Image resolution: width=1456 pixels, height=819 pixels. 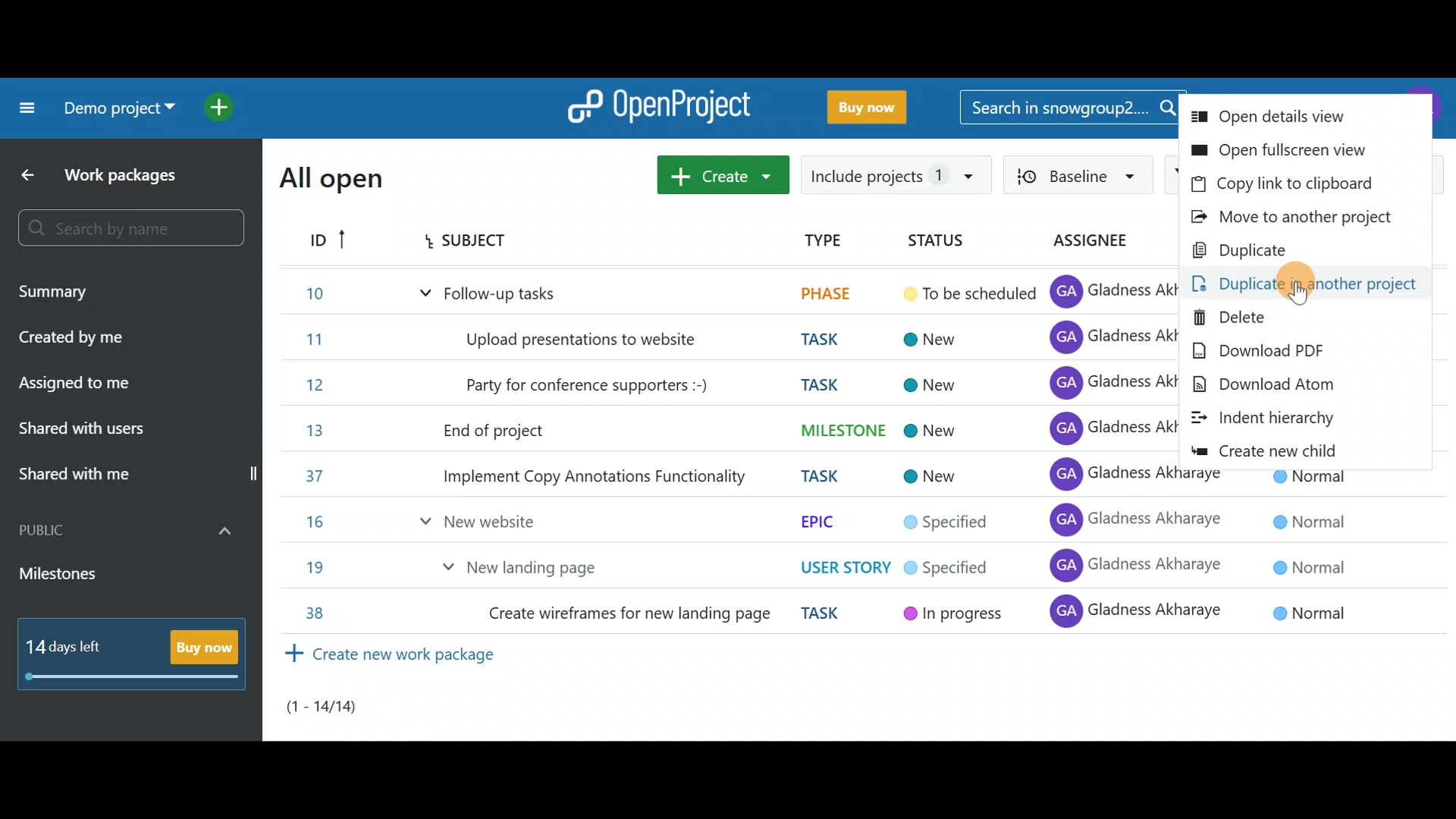 I want to click on 38, so click(x=309, y=613).